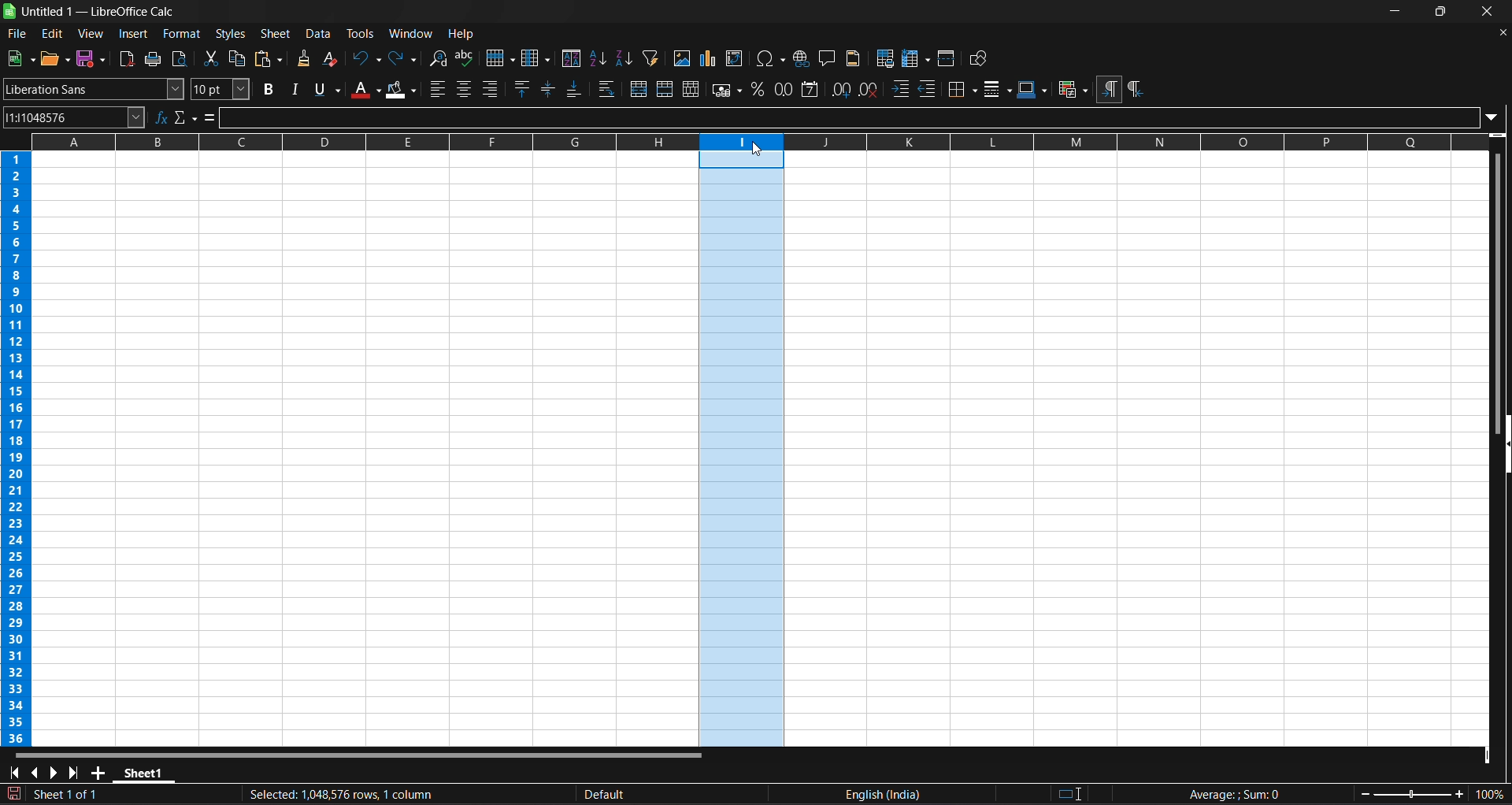 Image resolution: width=1512 pixels, height=805 pixels. What do you see at coordinates (743, 448) in the screenshot?
I see `selected column I` at bounding box center [743, 448].